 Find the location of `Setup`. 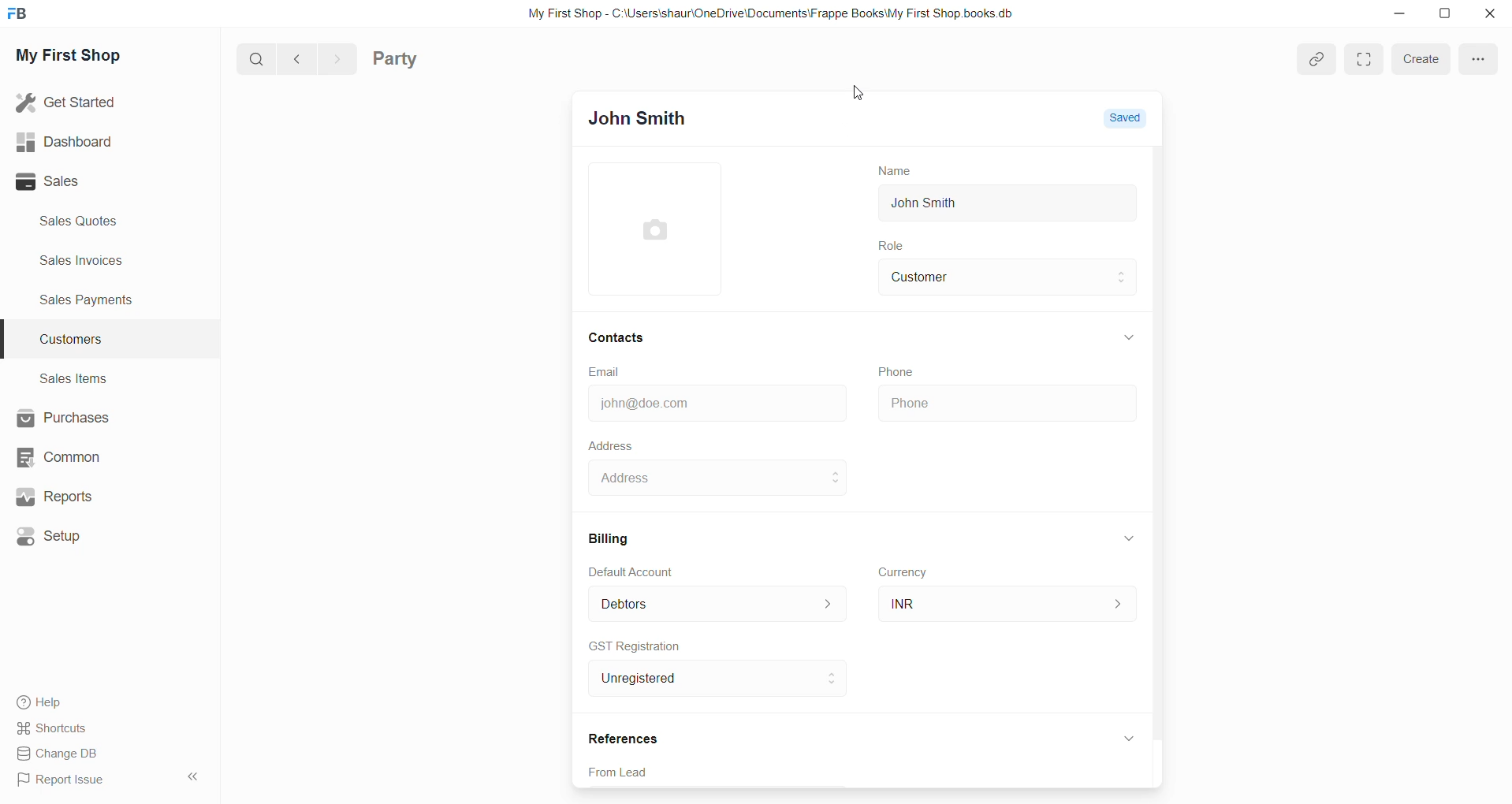

Setup is located at coordinates (53, 534).